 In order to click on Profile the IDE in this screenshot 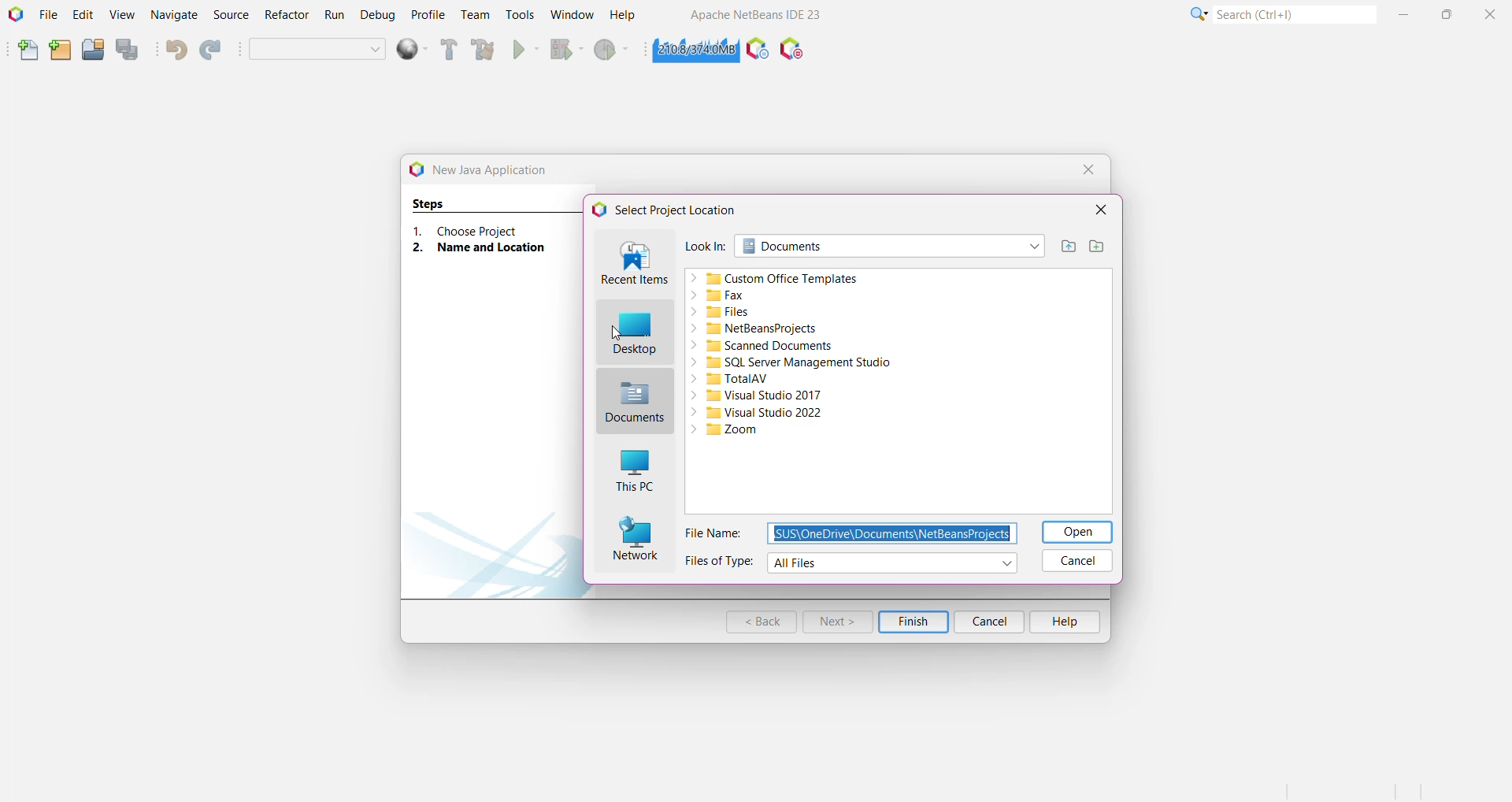, I will do `click(757, 51)`.